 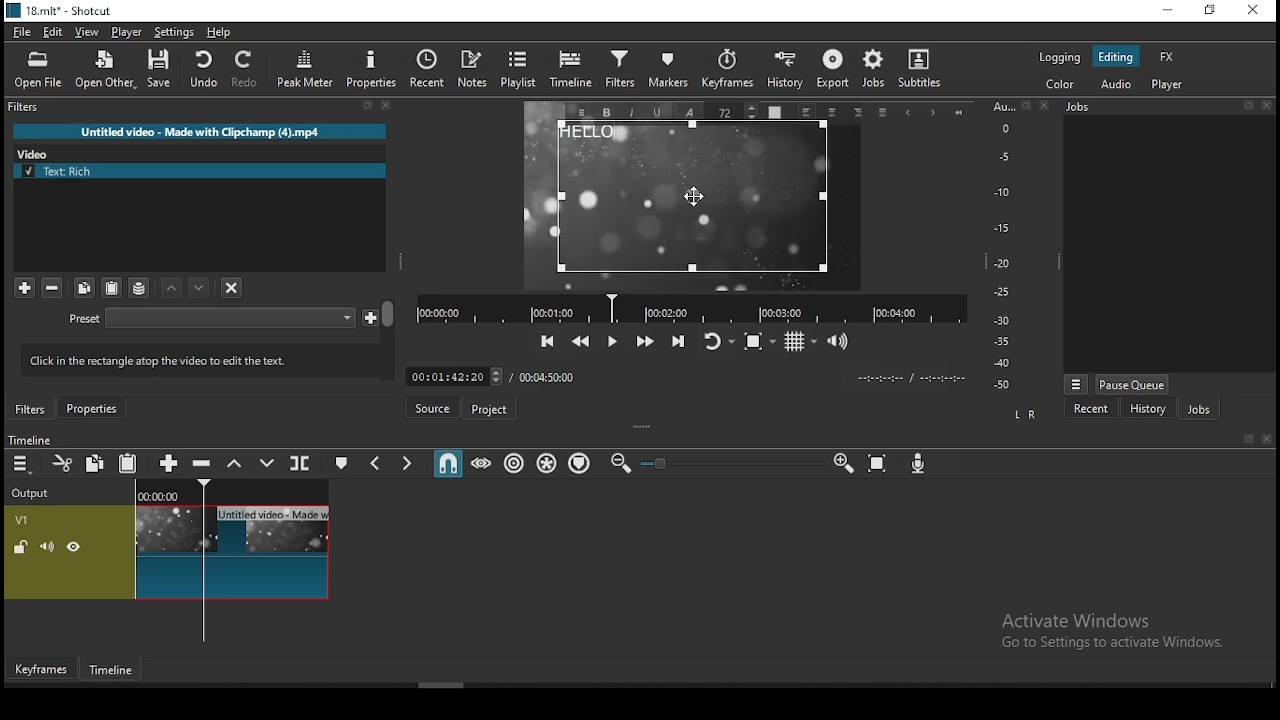 What do you see at coordinates (834, 113) in the screenshot?
I see `Center Align` at bounding box center [834, 113].